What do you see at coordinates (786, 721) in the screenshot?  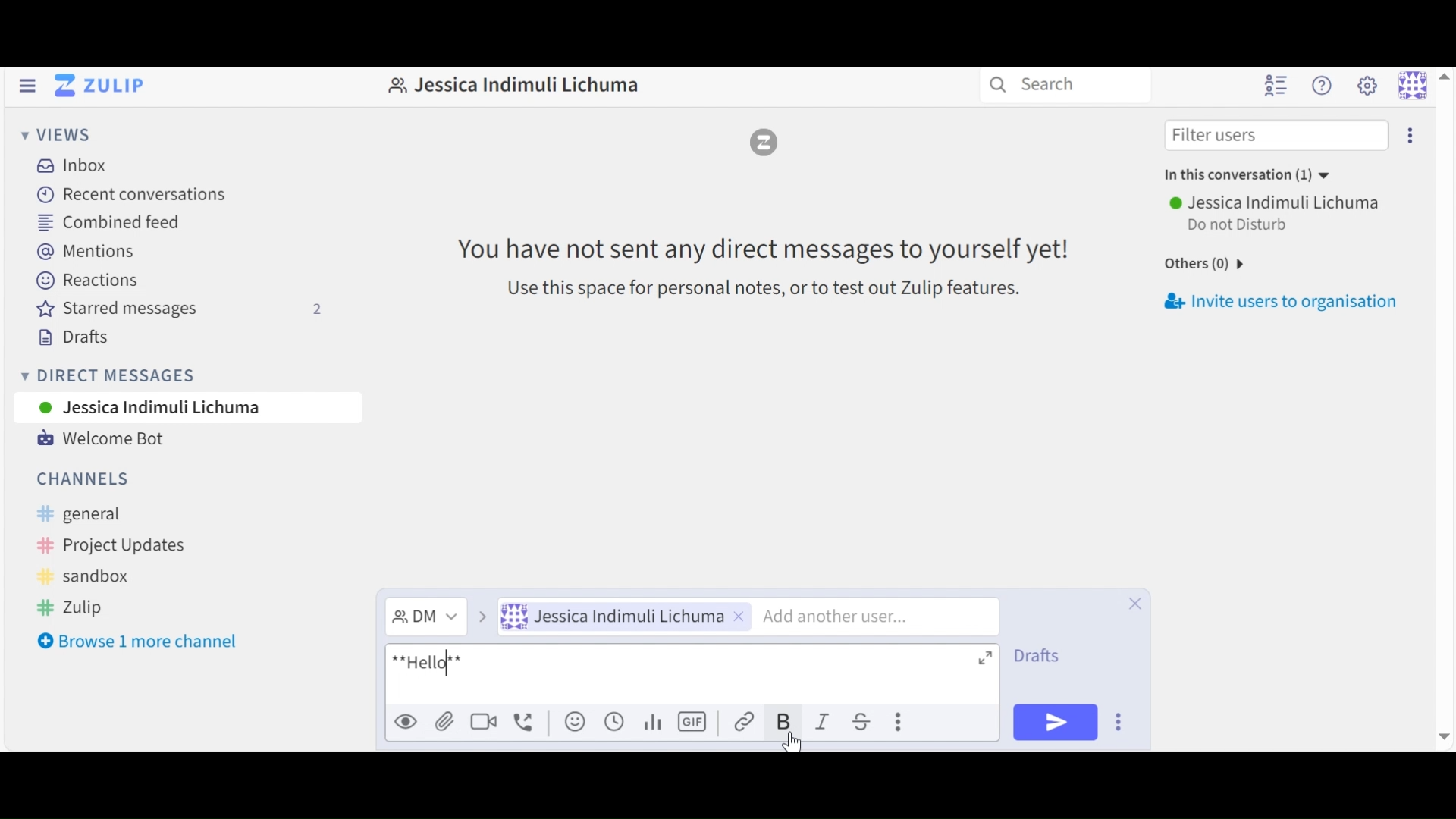 I see `Bold` at bounding box center [786, 721].